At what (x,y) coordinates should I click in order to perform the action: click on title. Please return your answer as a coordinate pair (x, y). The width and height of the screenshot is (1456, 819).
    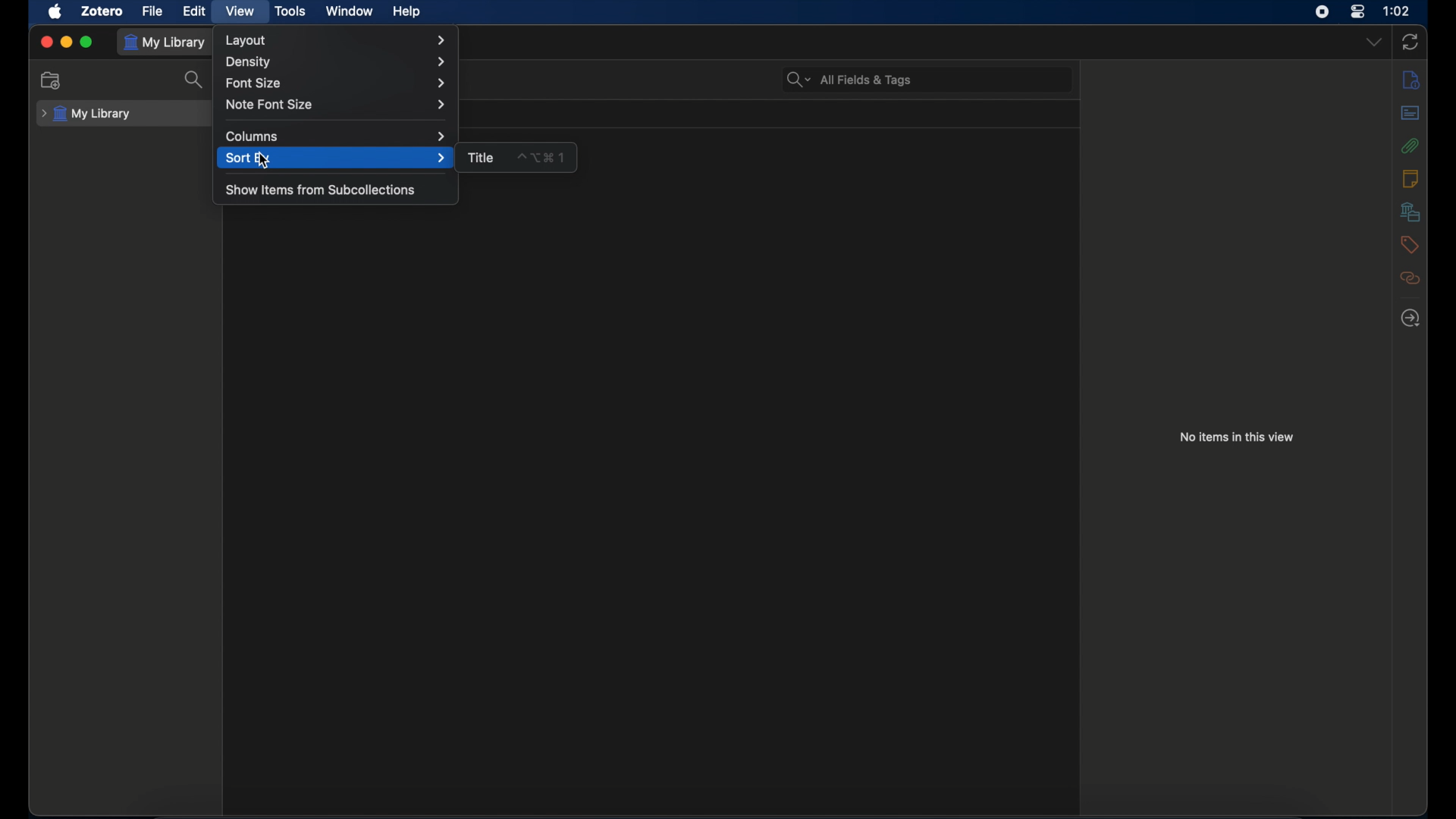
    Looking at the image, I should click on (482, 158).